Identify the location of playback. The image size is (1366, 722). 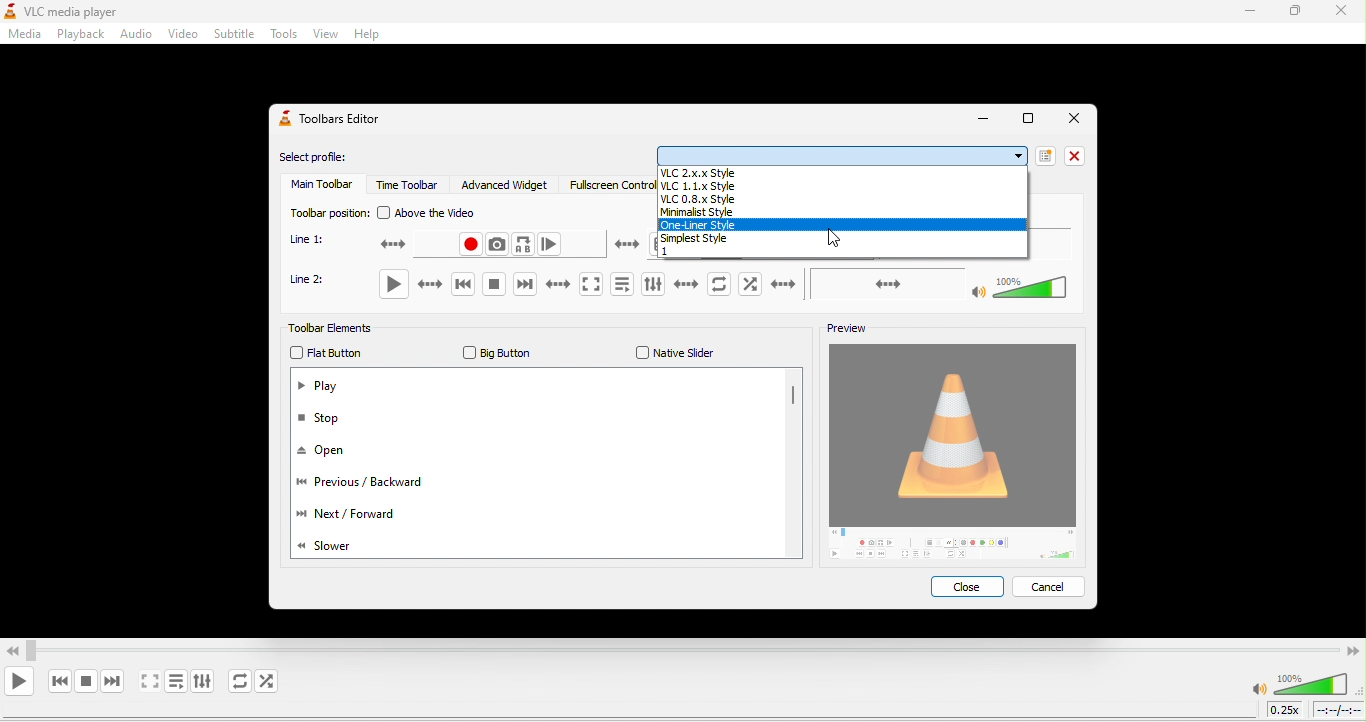
(78, 35).